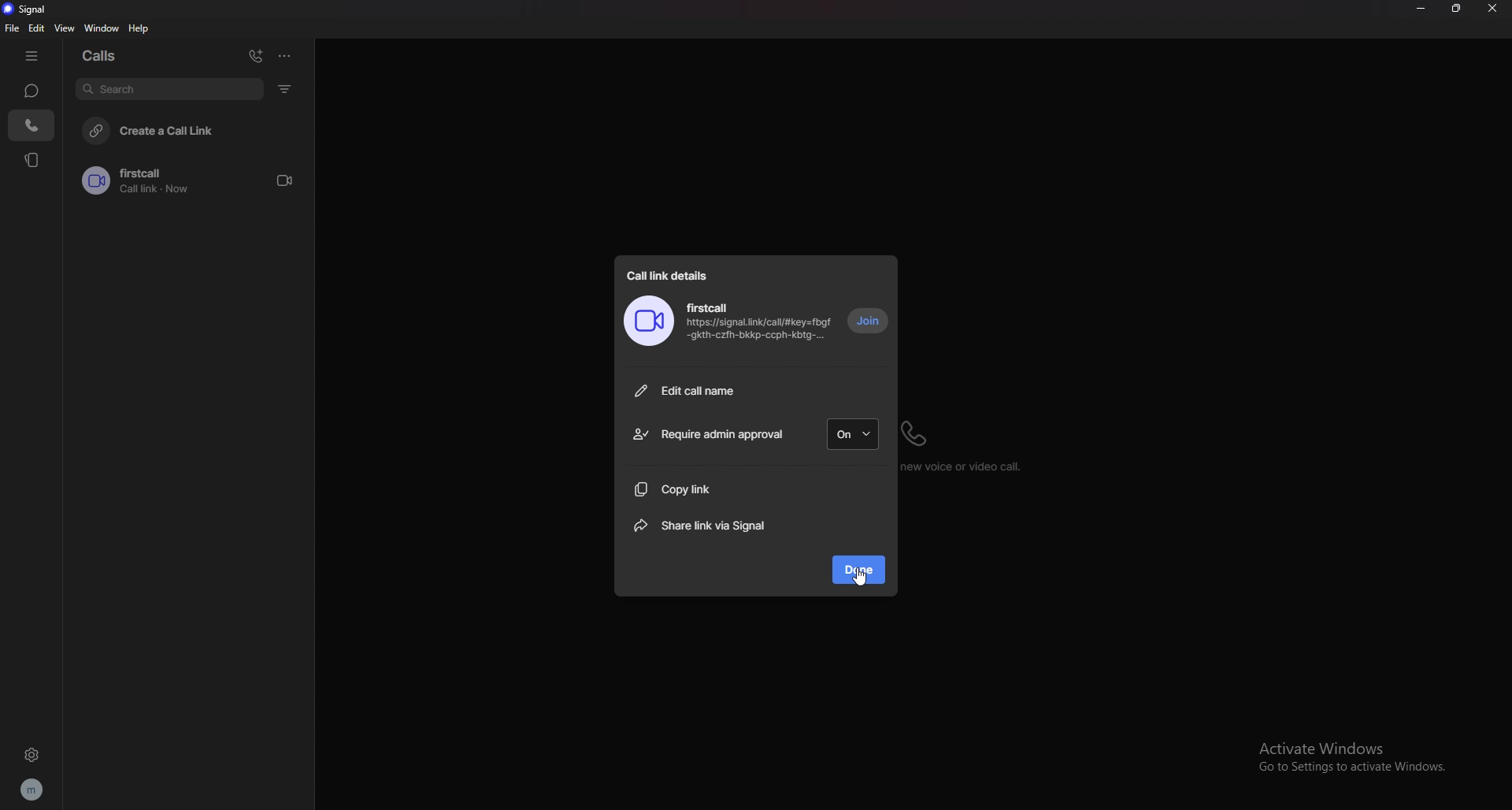 The image size is (1512, 810). I want to click on call name, so click(708, 307).